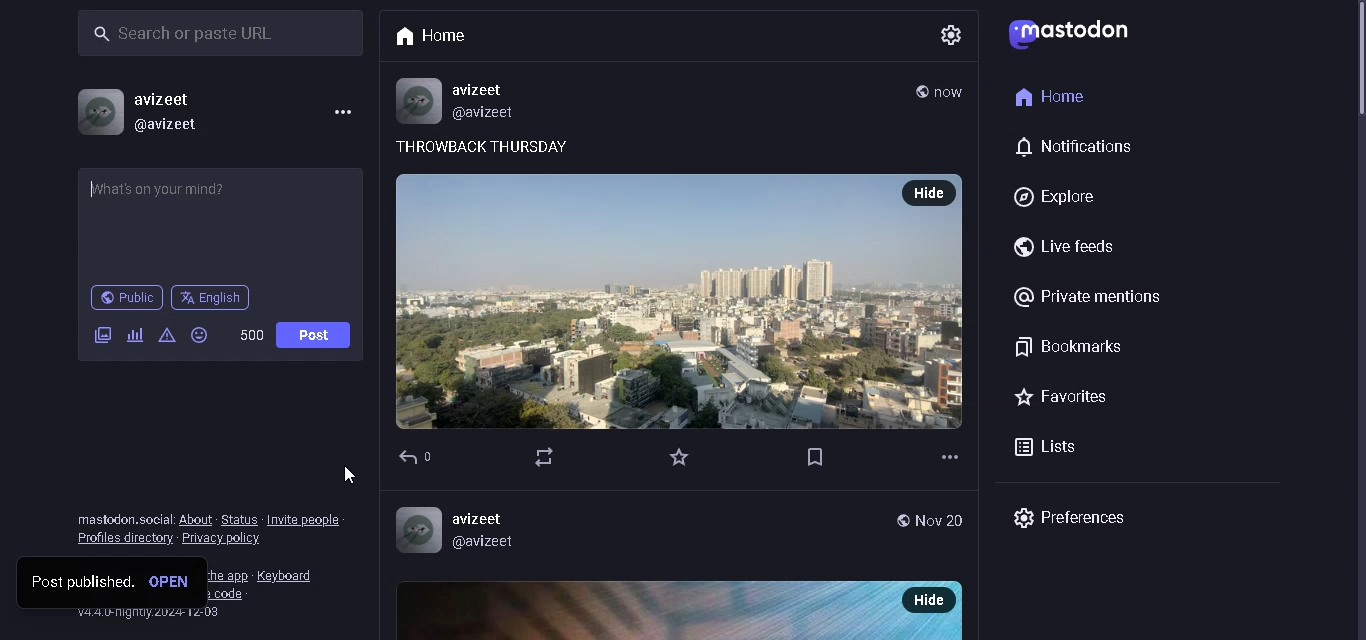 This screenshot has width=1366, height=640. Describe the element at coordinates (197, 334) in the screenshot. I see `emojis` at that location.